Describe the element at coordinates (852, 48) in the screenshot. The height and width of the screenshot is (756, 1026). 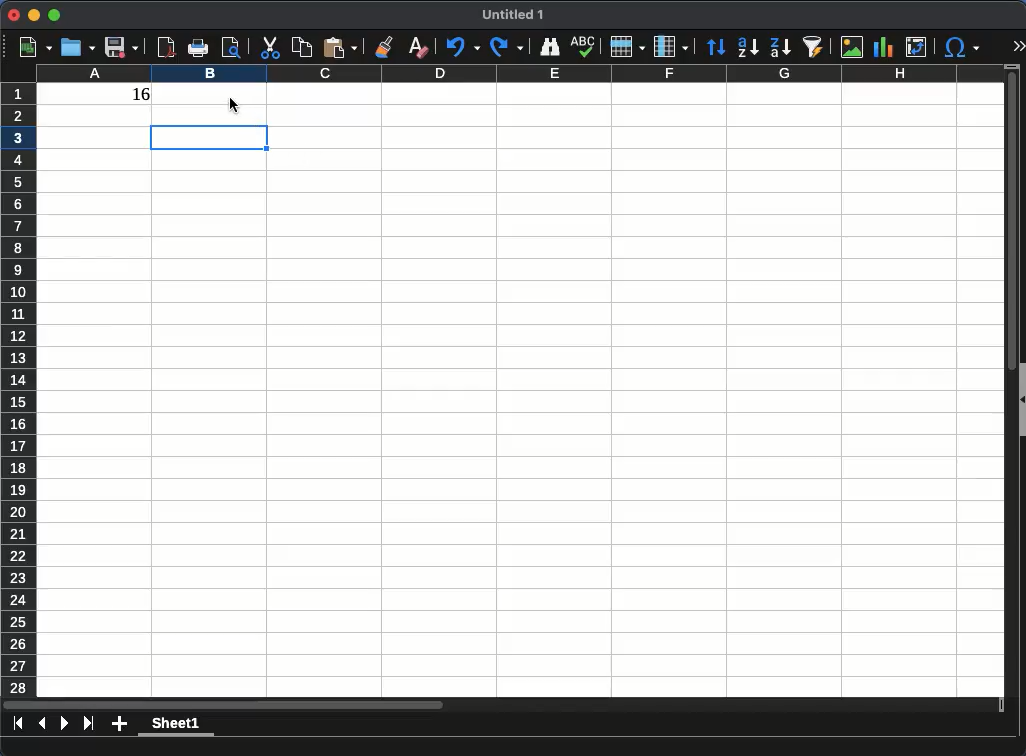
I see `image` at that location.